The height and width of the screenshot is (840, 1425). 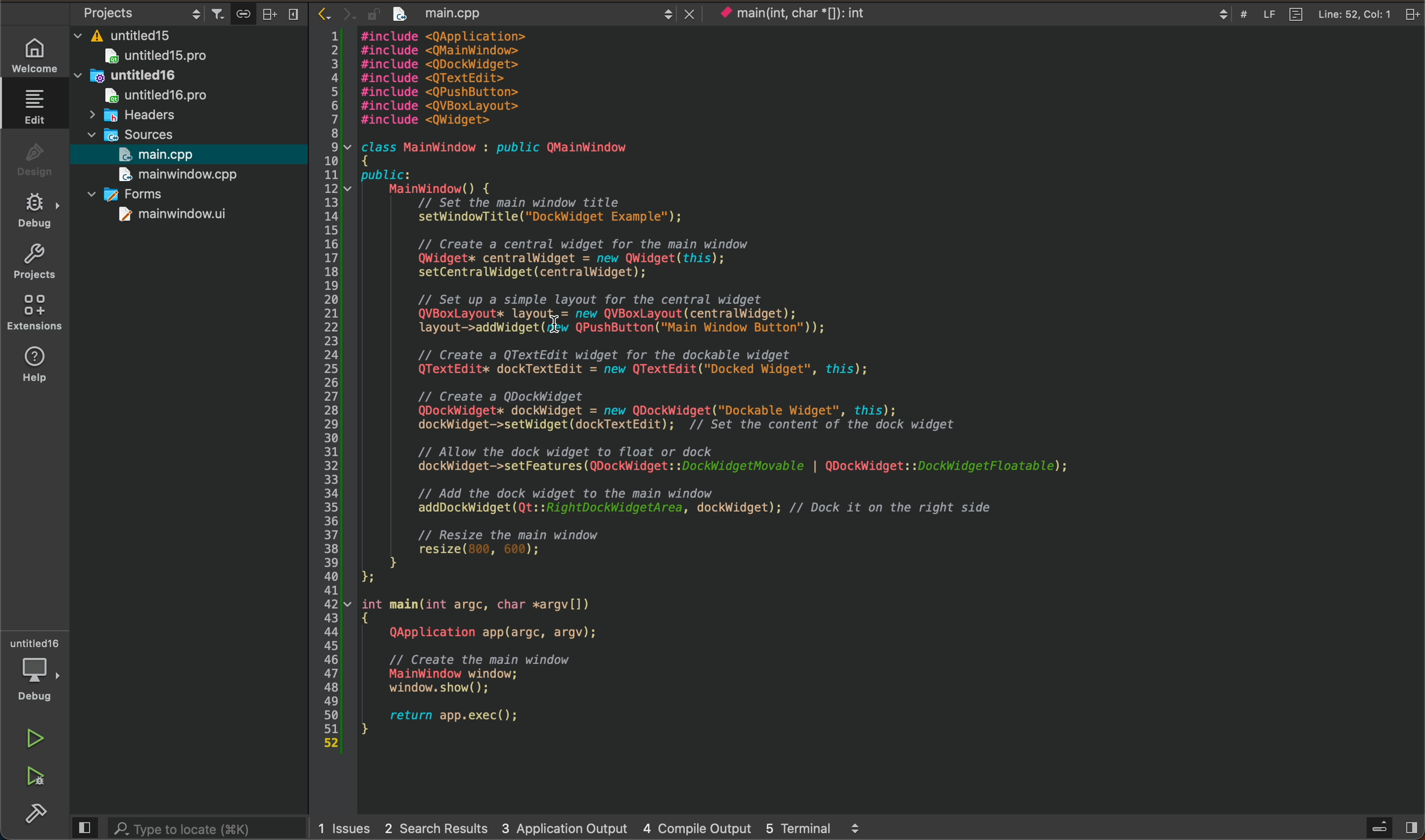 What do you see at coordinates (193, 36) in the screenshot?
I see `files and folders` at bounding box center [193, 36].